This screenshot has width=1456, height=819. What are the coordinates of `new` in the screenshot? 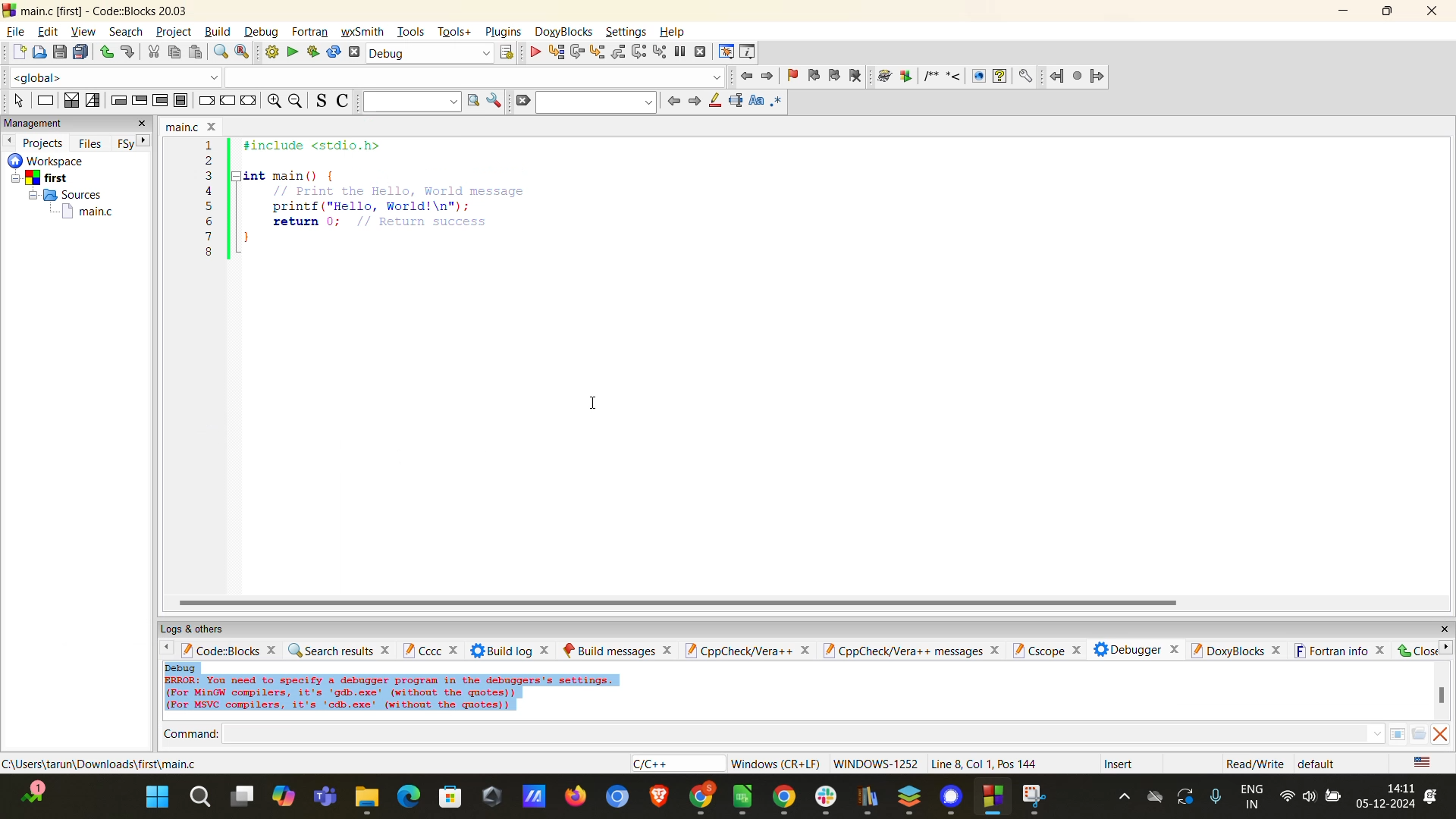 It's located at (14, 53).